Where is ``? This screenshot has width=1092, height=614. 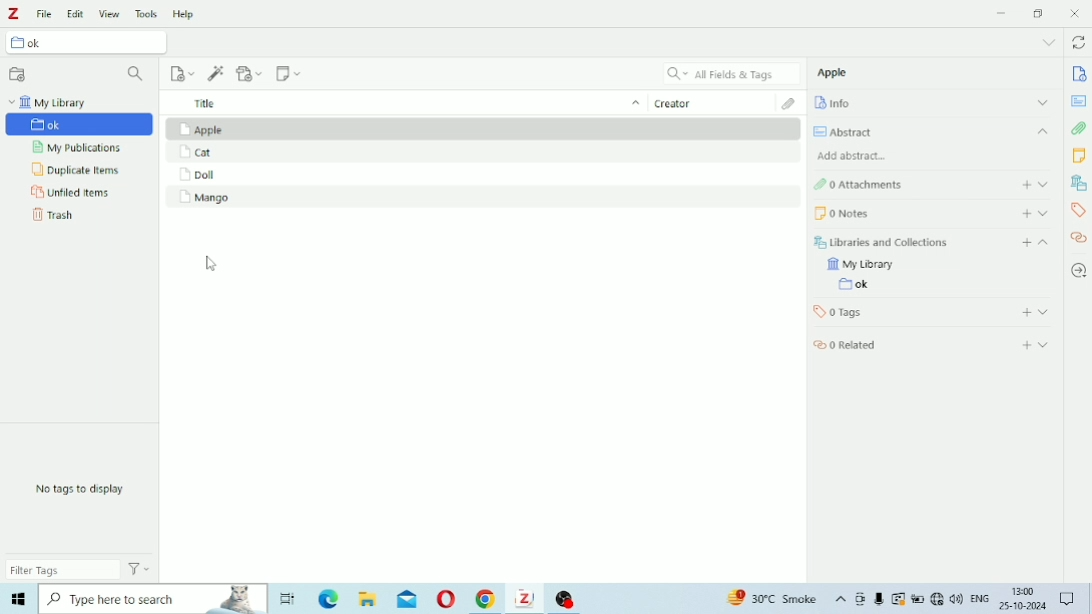  is located at coordinates (525, 601).